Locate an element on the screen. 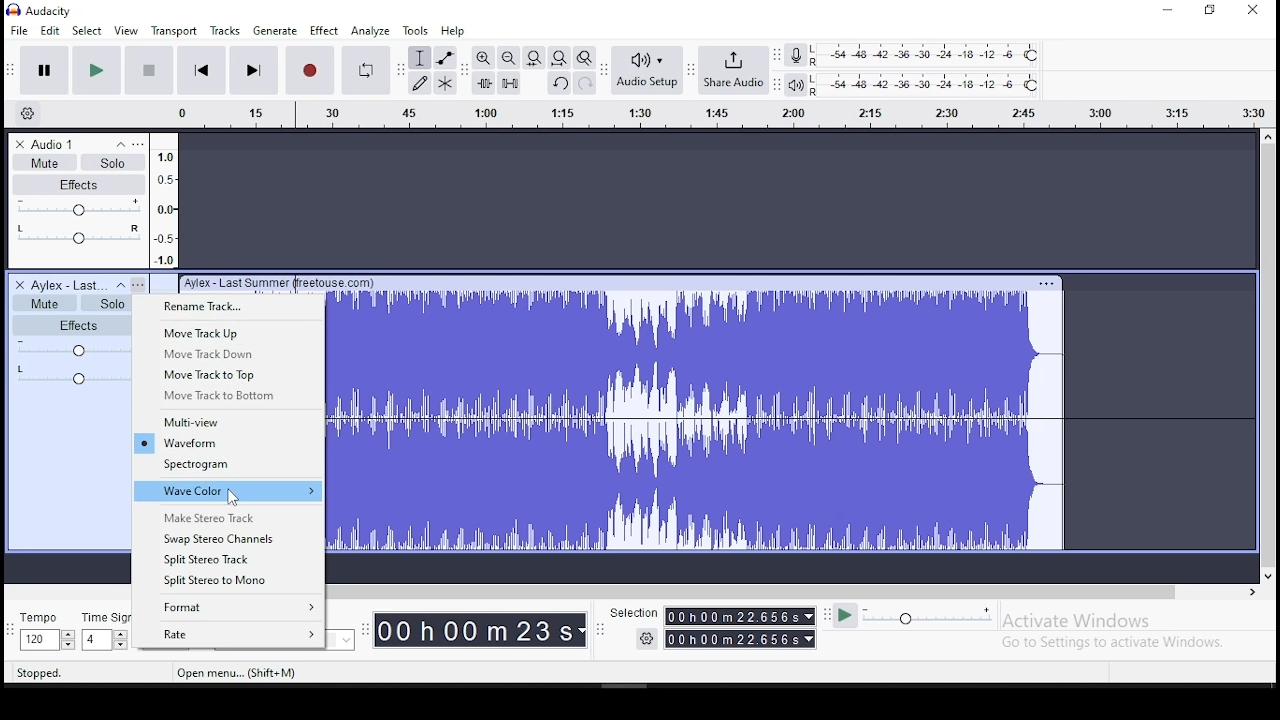 This screenshot has height=720, width=1280. select is located at coordinates (88, 31).